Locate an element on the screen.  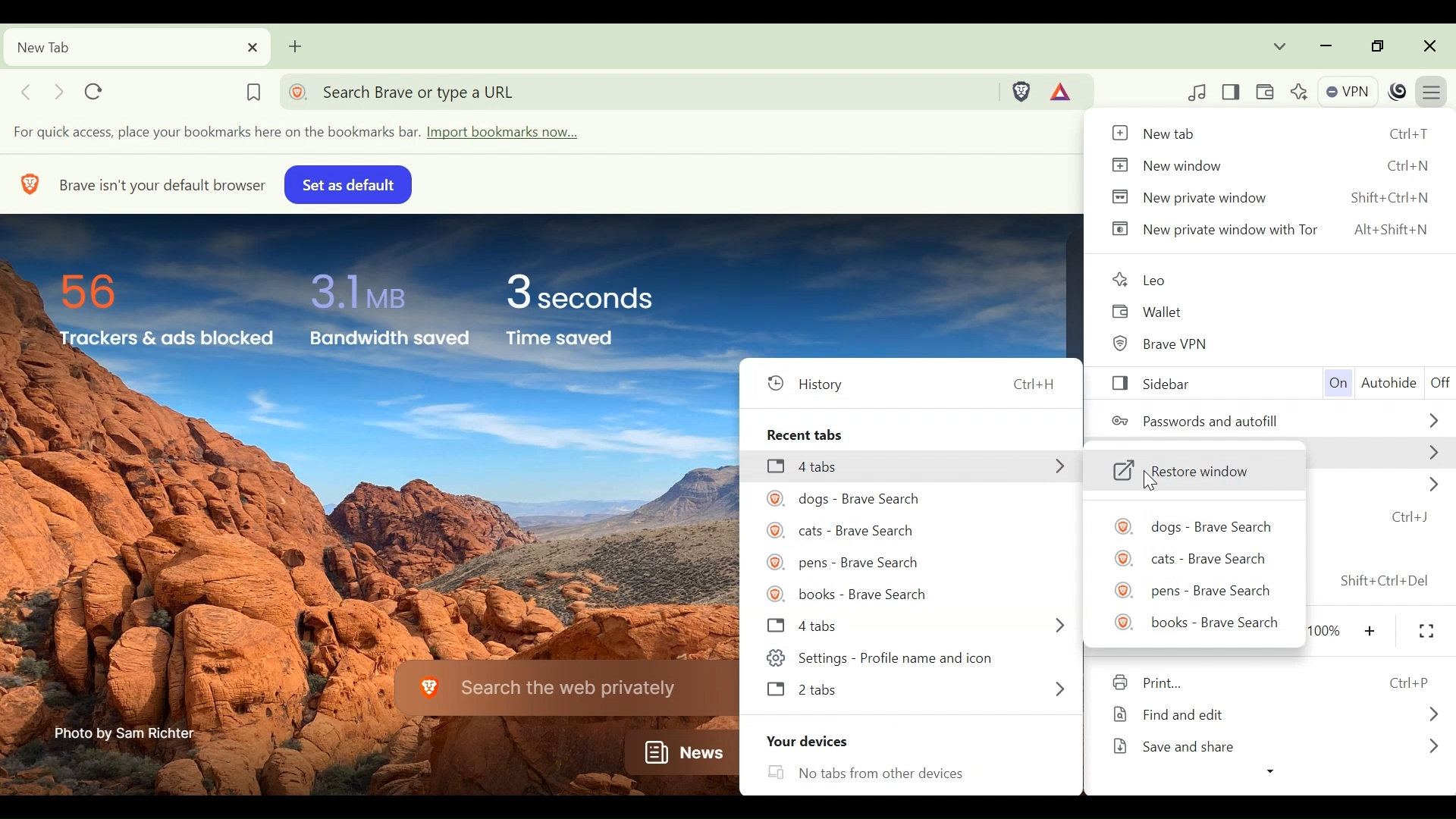
Search tabs is located at coordinates (1282, 45).